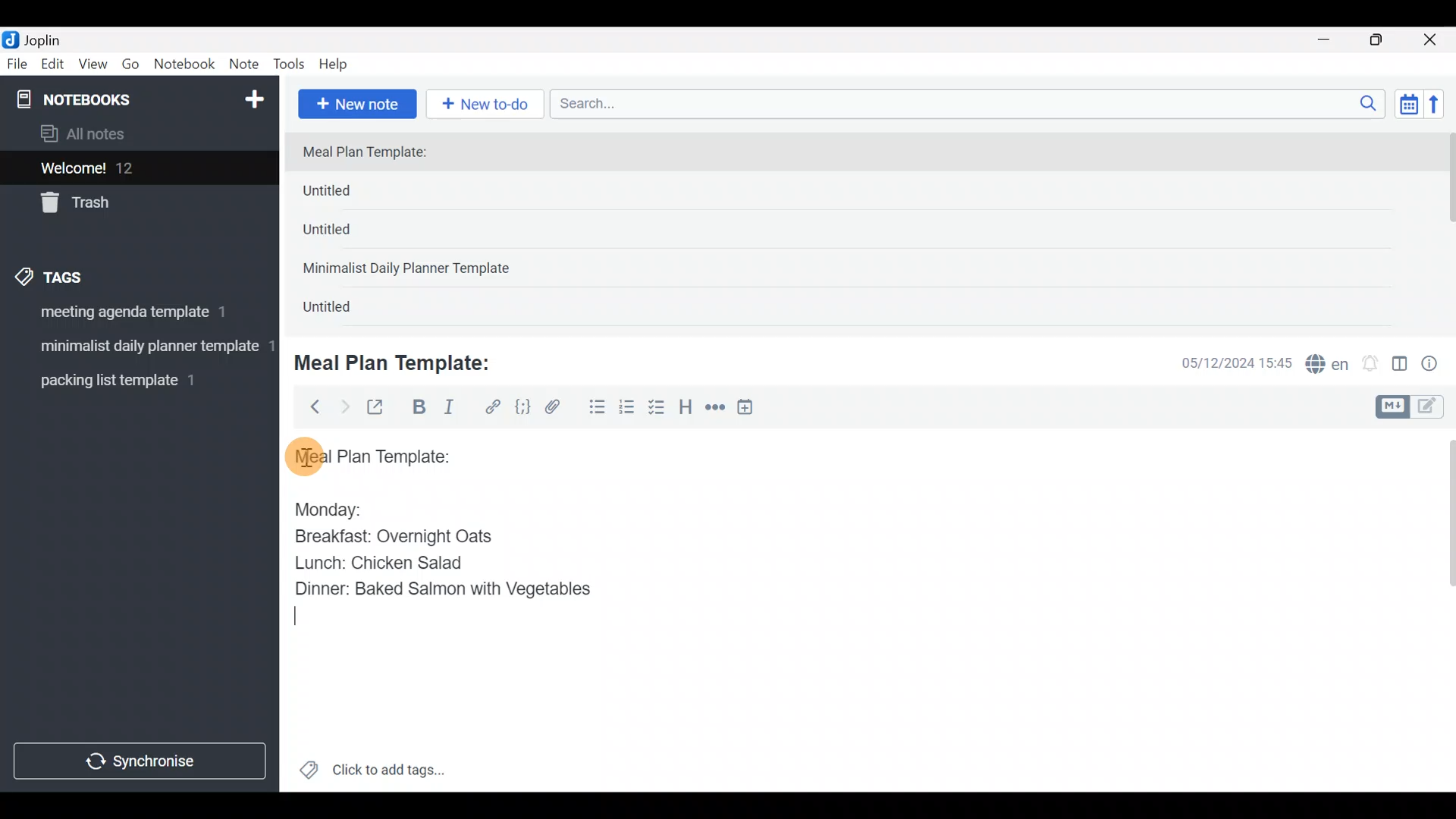  What do you see at coordinates (1328, 366) in the screenshot?
I see `Spelling` at bounding box center [1328, 366].